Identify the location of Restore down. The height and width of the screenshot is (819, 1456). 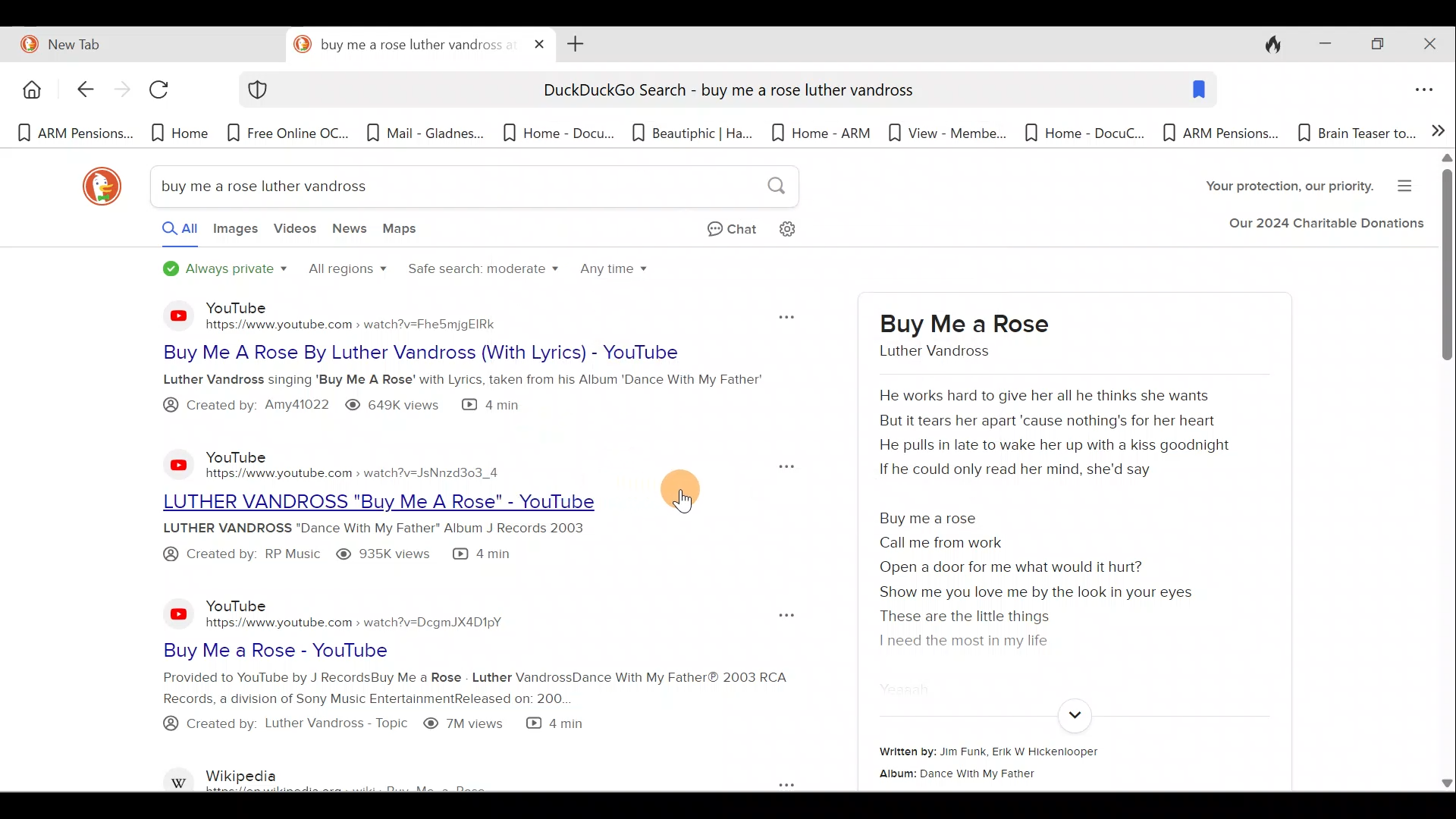
(1376, 45).